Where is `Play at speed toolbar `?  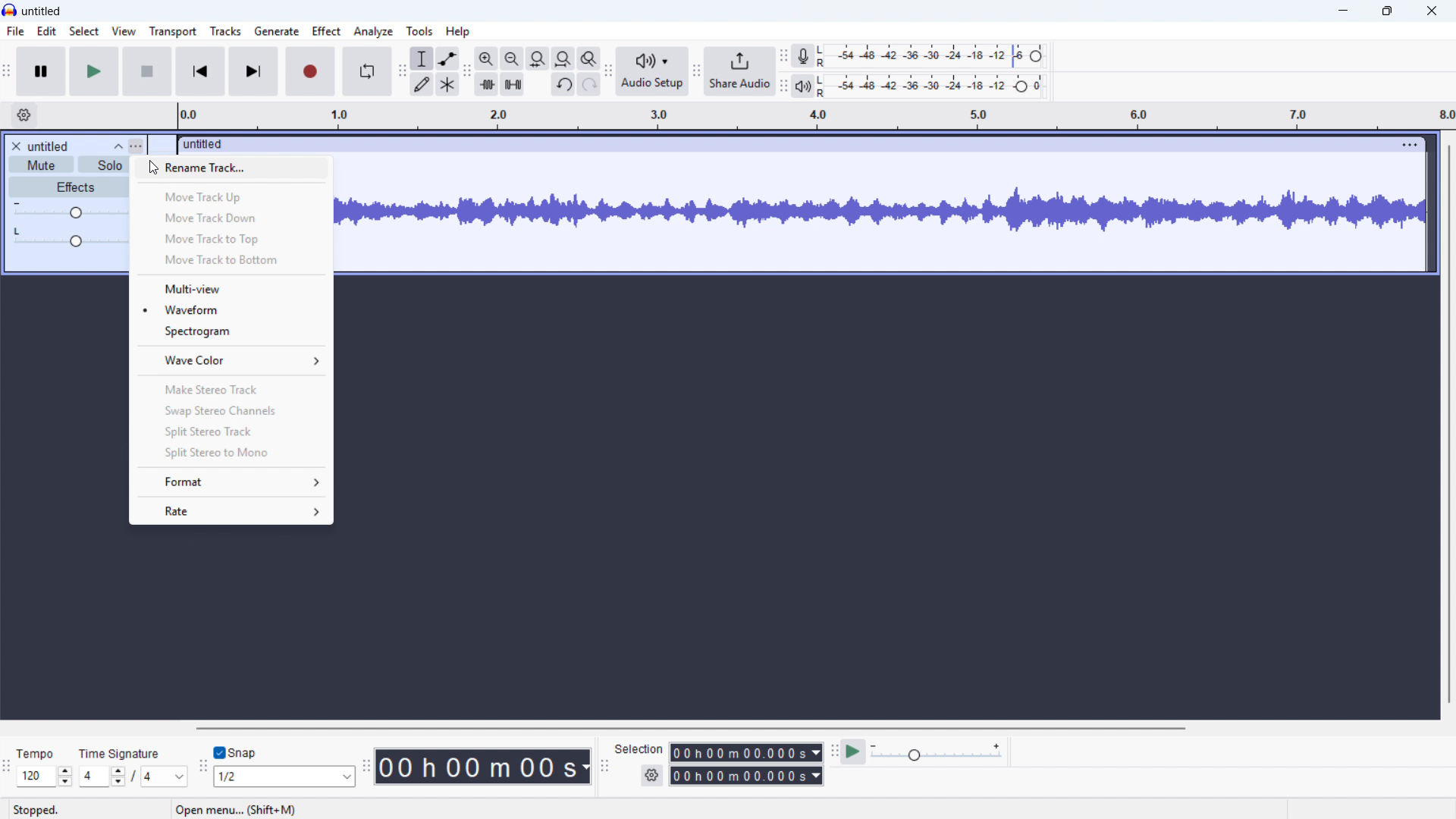 Play at speed toolbar  is located at coordinates (833, 750).